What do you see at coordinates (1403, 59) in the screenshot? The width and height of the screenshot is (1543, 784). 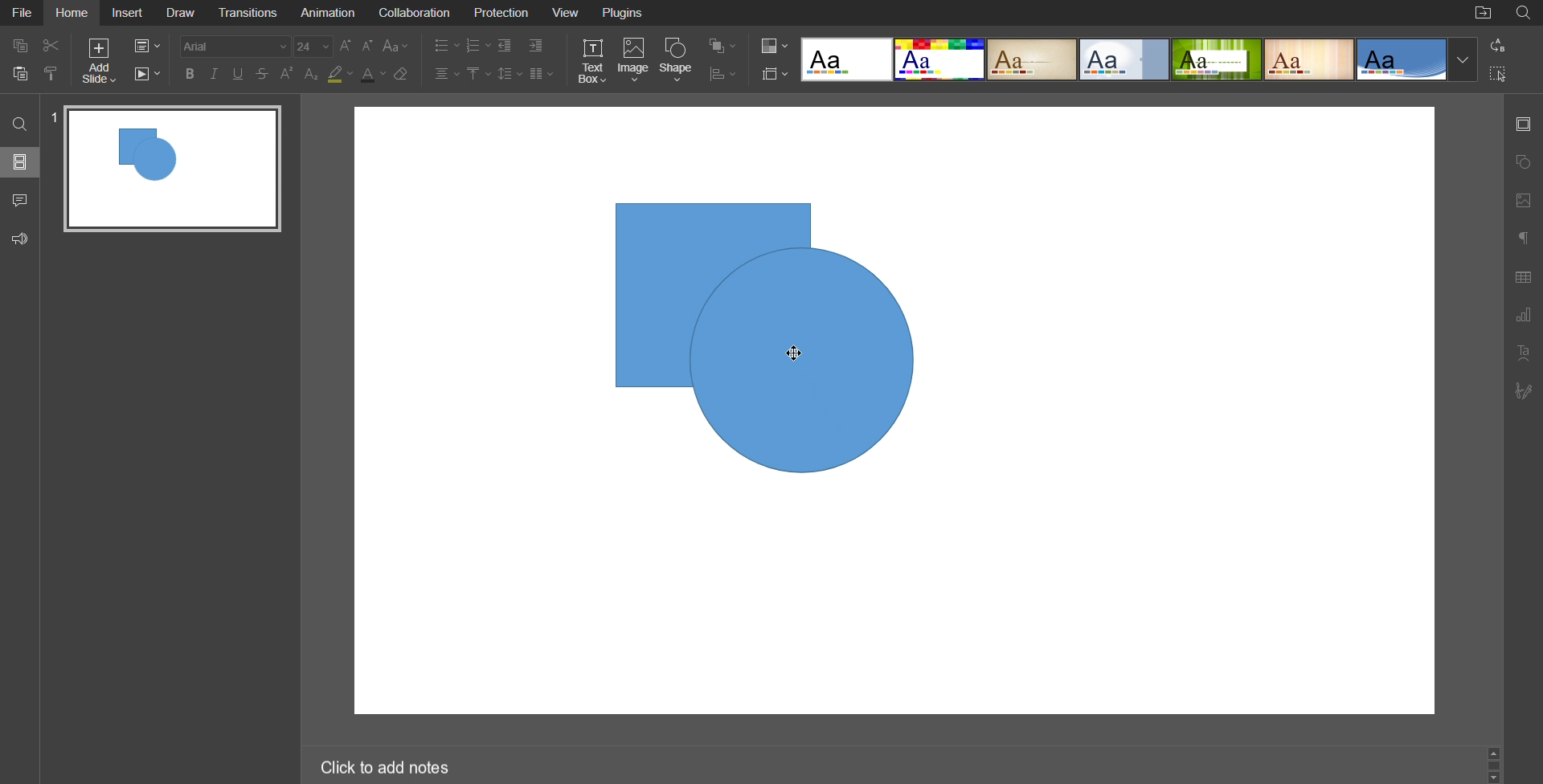 I see `Office` at bounding box center [1403, 59].